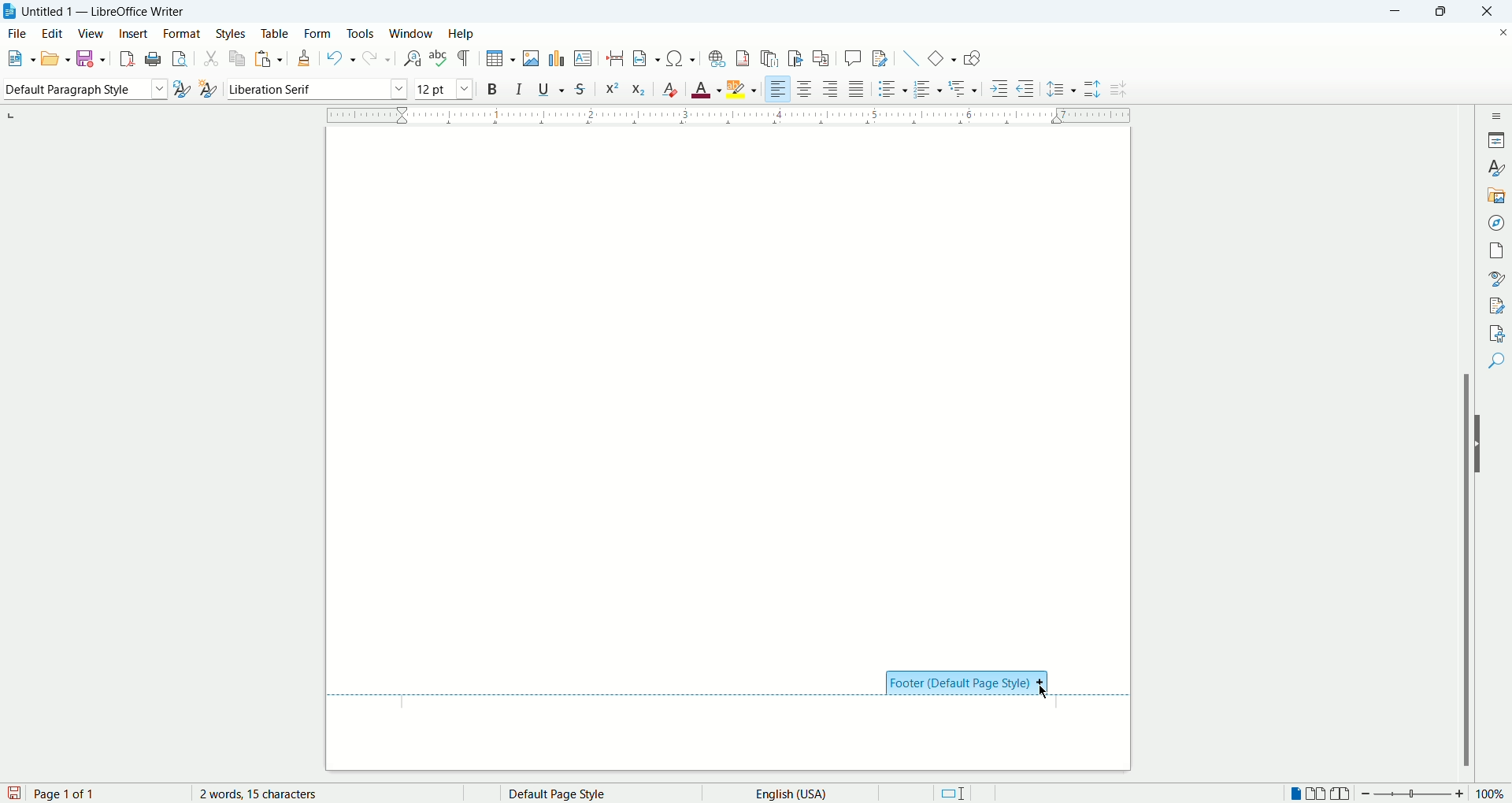  I want to click on show draw functions, so click(972, 60).